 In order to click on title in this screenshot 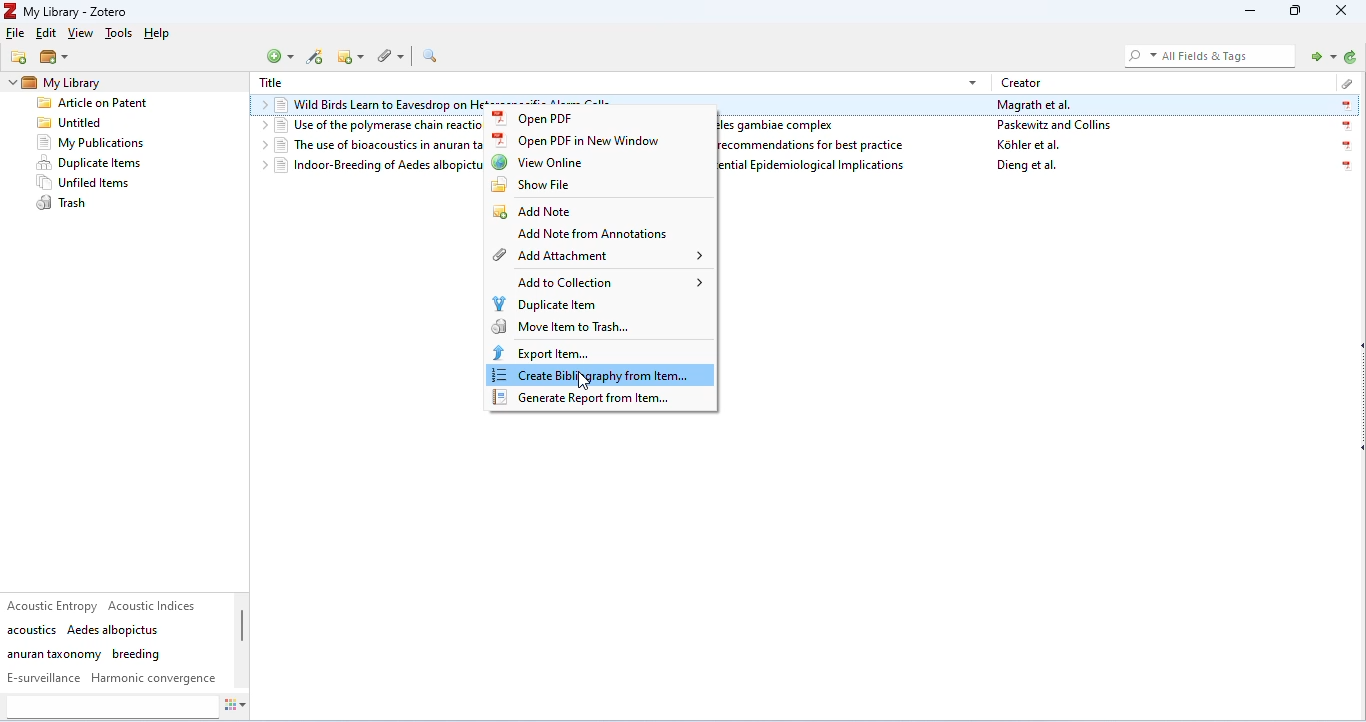, I will do `click(271, 83)`.